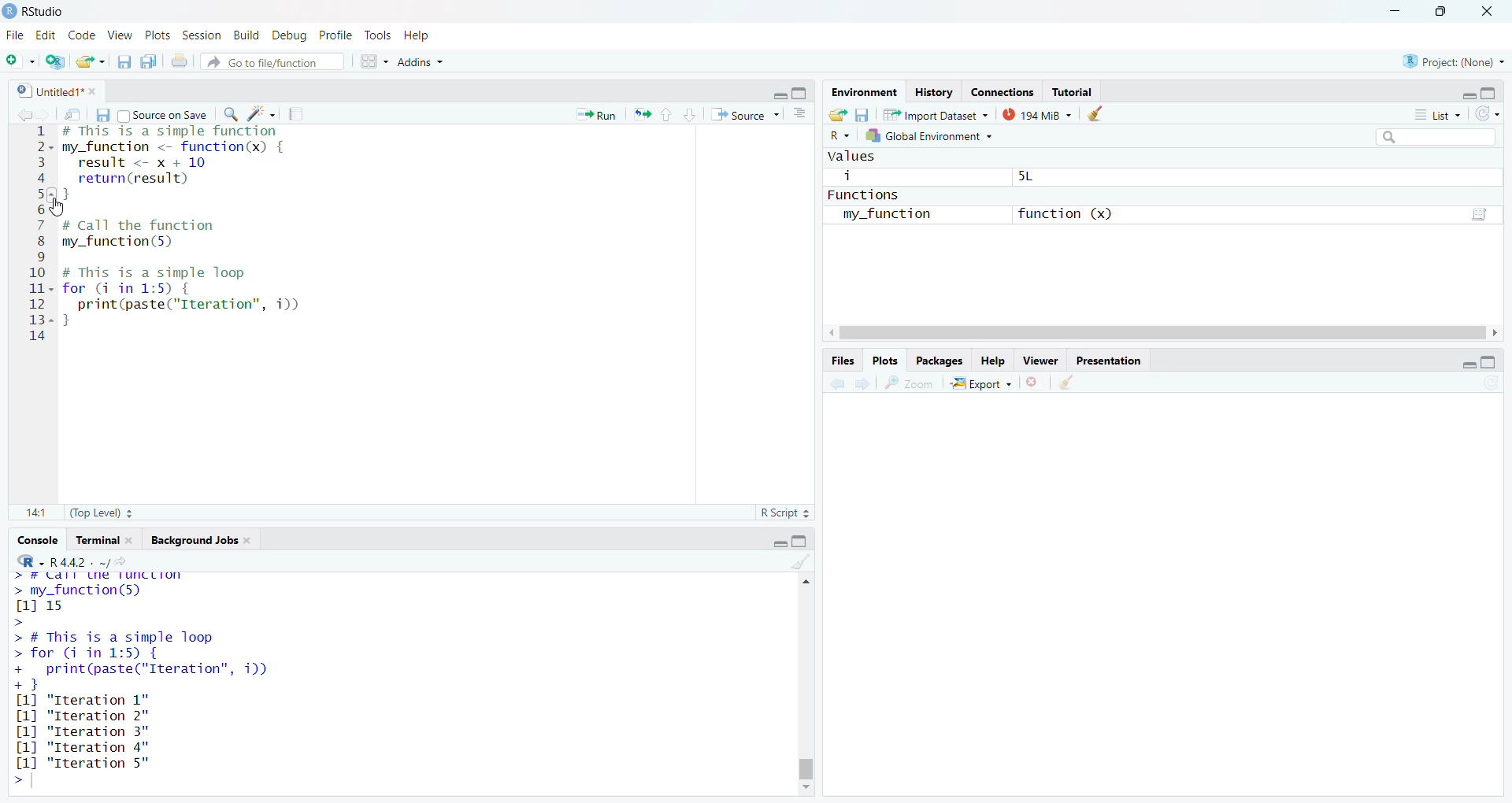 Image resolution: width=1512 pixels, height=803 pixels. I want to click on History, so click(934, 91).